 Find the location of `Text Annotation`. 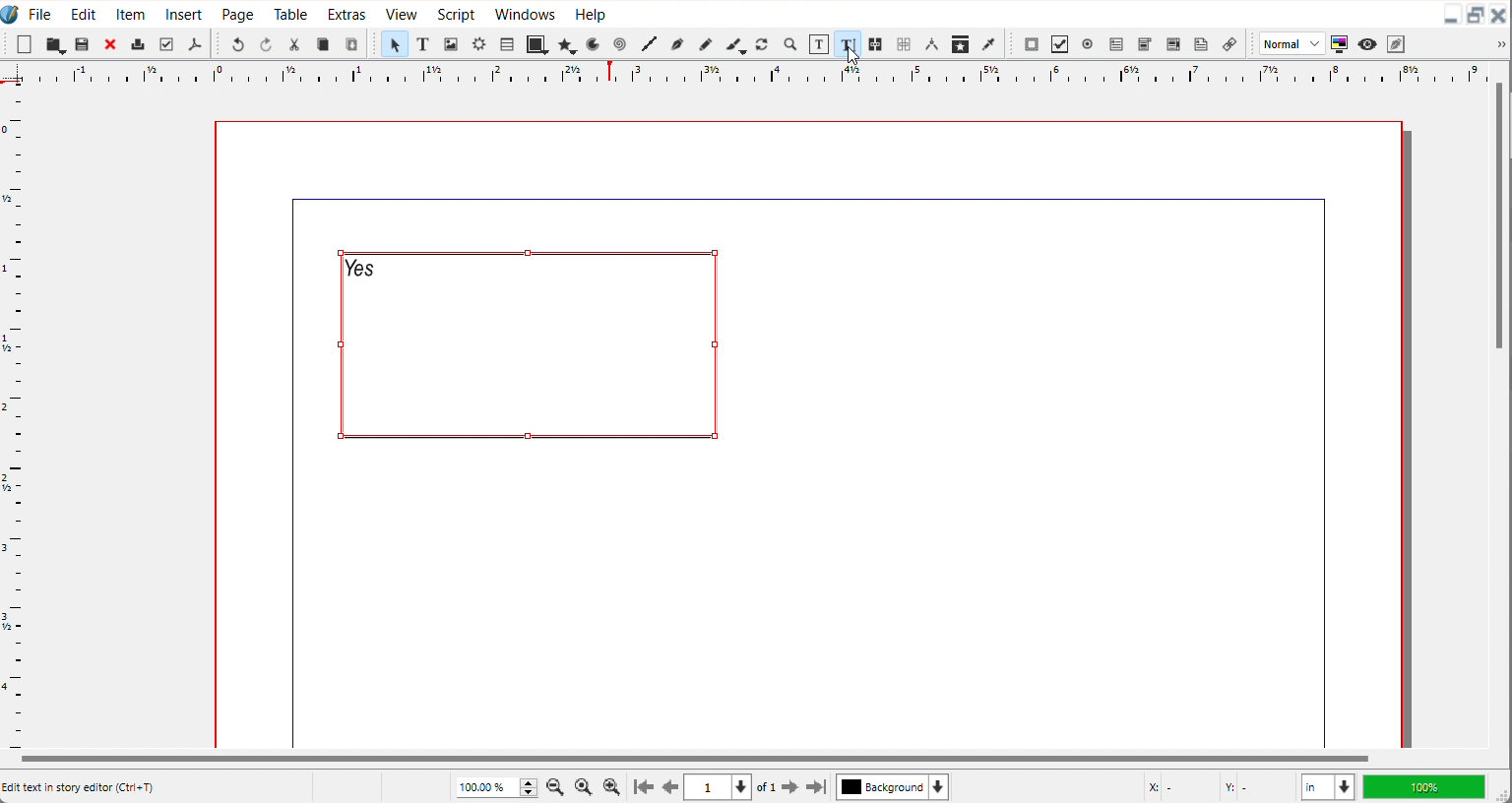

Text Annotation is located at coordinates (1201, 44).